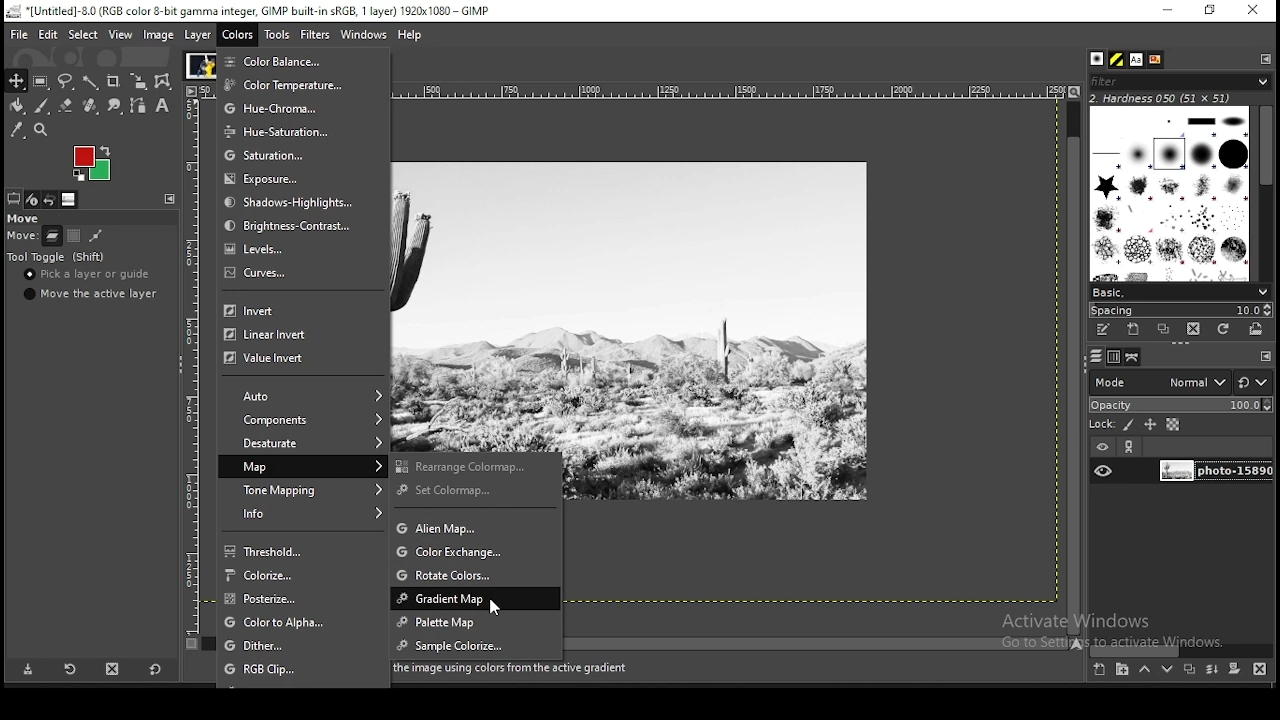 The height and width of the screenshot is (720, 1280). What do you see at coordinates (480, 492) in the screenshot?
I see `set color map` at bounding box center [480, 492].